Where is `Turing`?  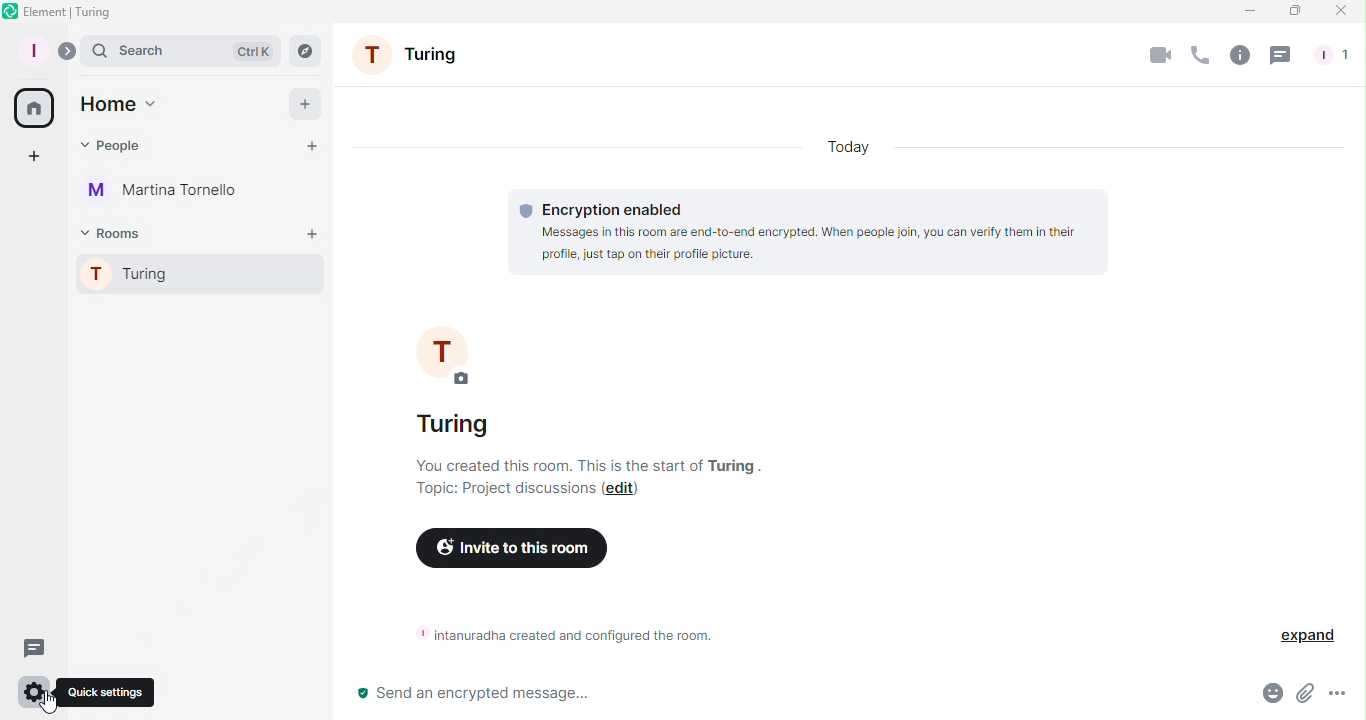 Turing is located at coordinates (207, 274).